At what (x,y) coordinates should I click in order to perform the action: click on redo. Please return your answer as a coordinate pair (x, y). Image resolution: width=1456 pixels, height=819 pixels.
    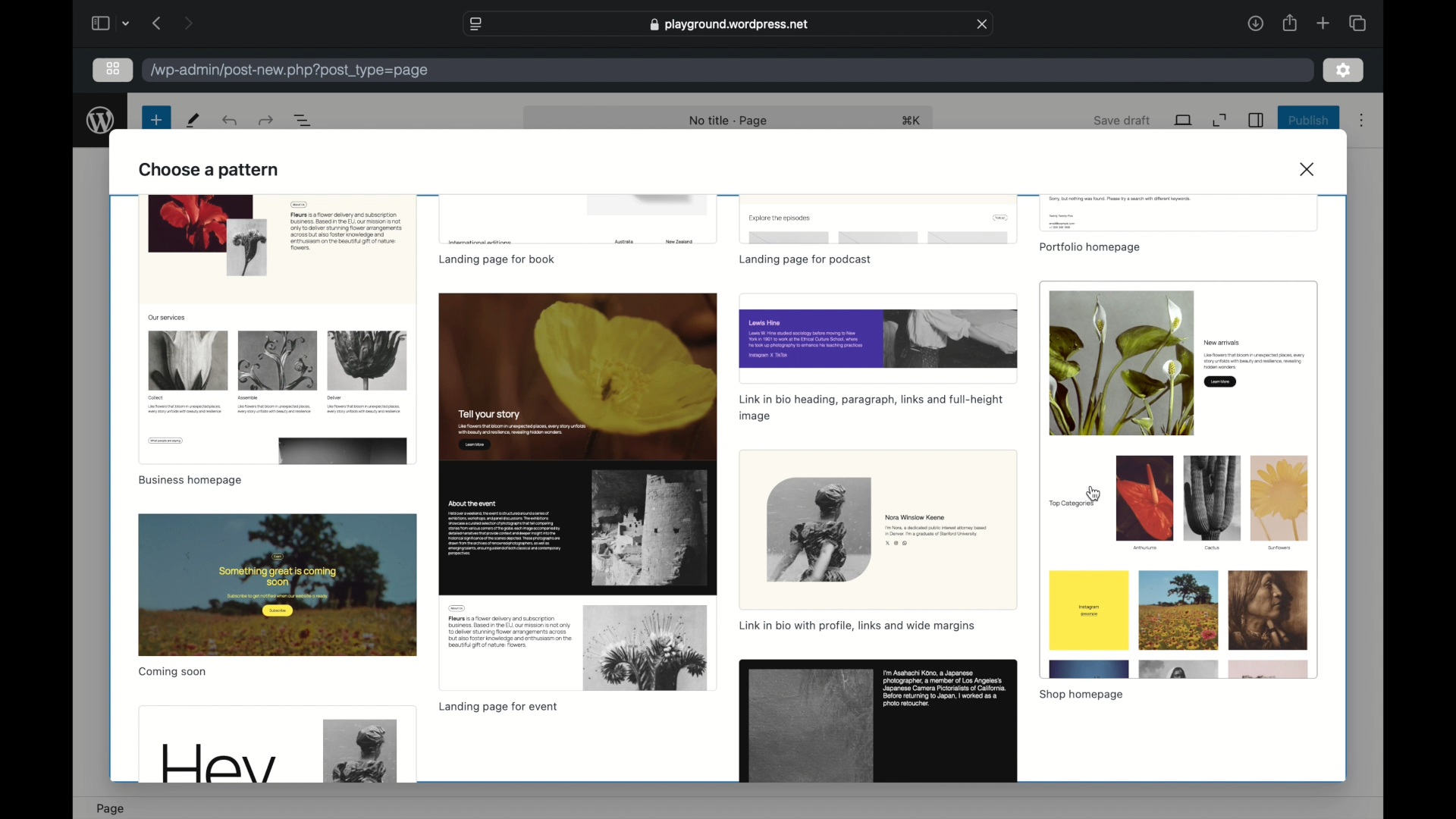
    Looking at the image, I should click on (231, 121).